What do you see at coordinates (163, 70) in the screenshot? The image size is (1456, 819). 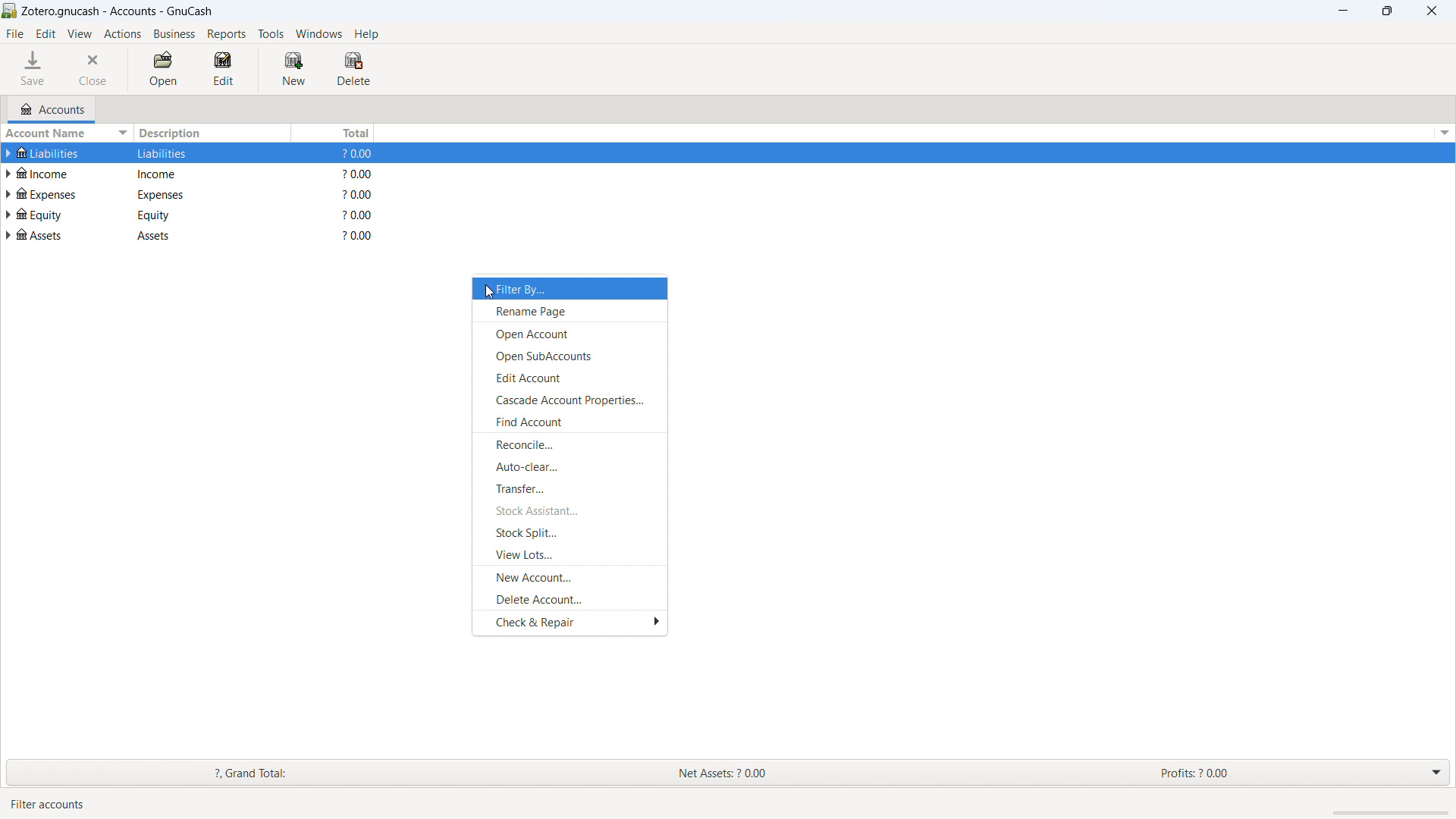 I see `open` at bounding box center [163, 70].